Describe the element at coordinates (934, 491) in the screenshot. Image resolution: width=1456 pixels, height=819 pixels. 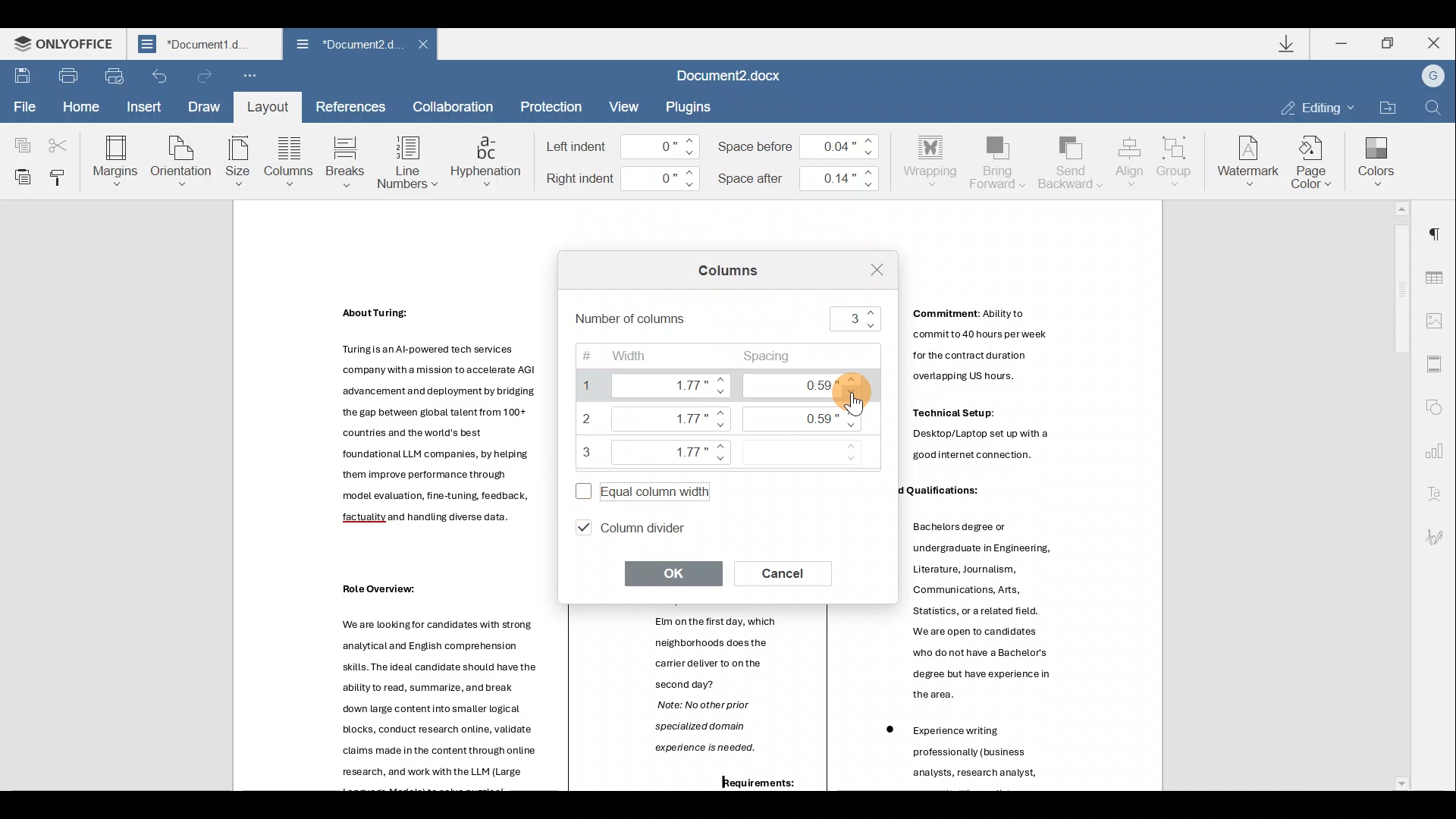
I see `` at that location.